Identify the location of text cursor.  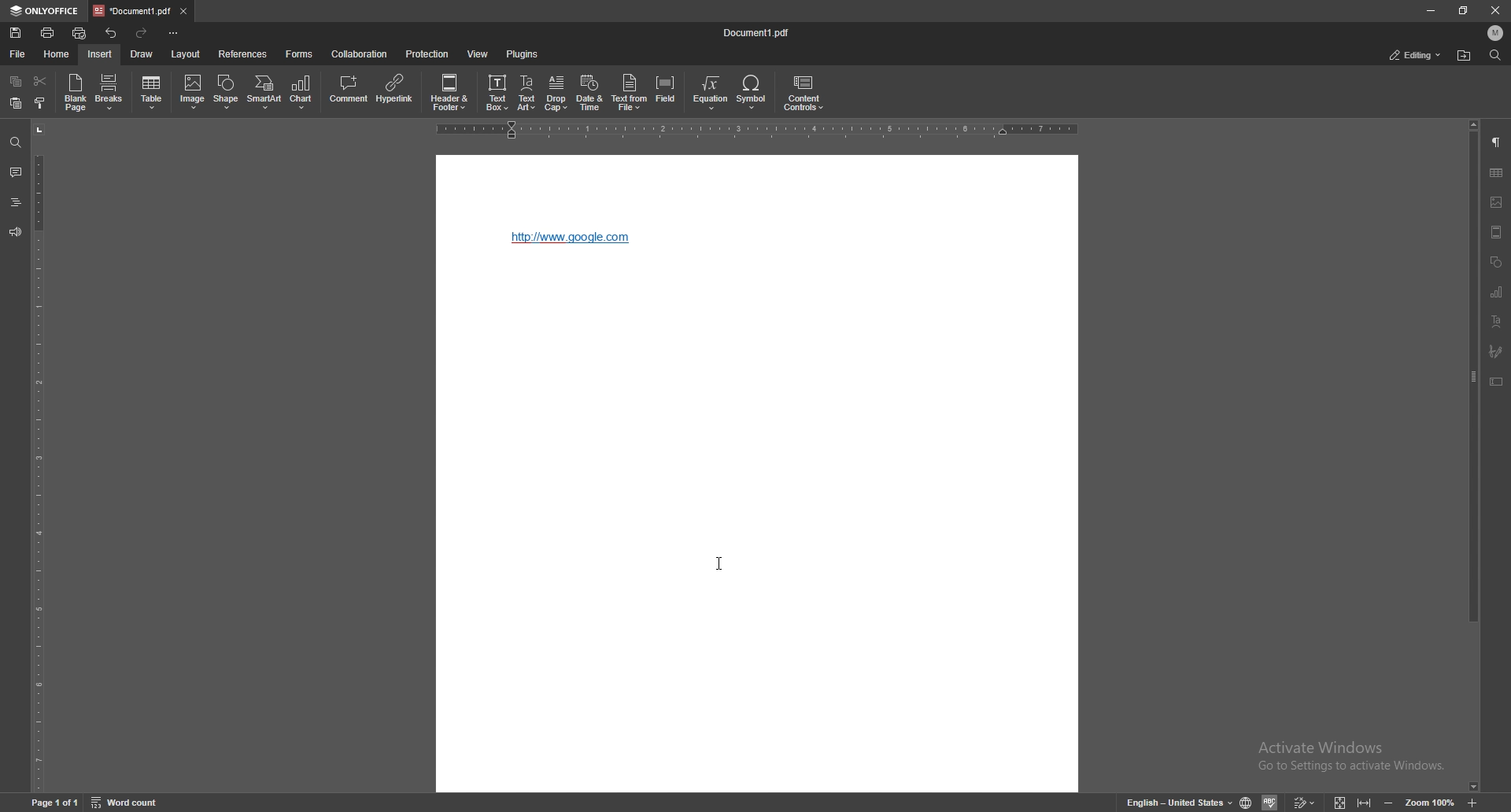
(719, 564).